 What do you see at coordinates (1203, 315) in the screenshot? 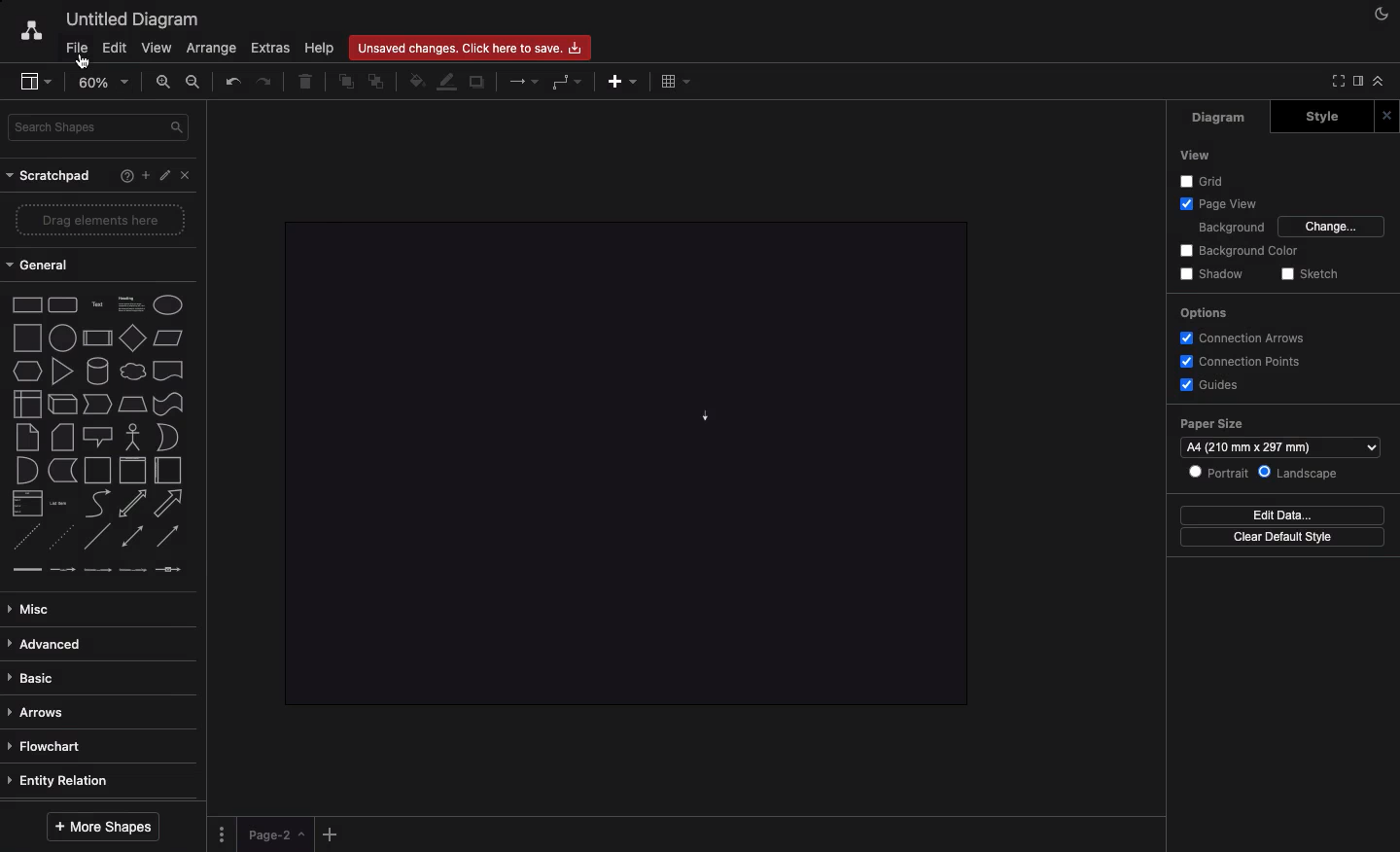
I see `Options` at bounding box center [1203, 315].